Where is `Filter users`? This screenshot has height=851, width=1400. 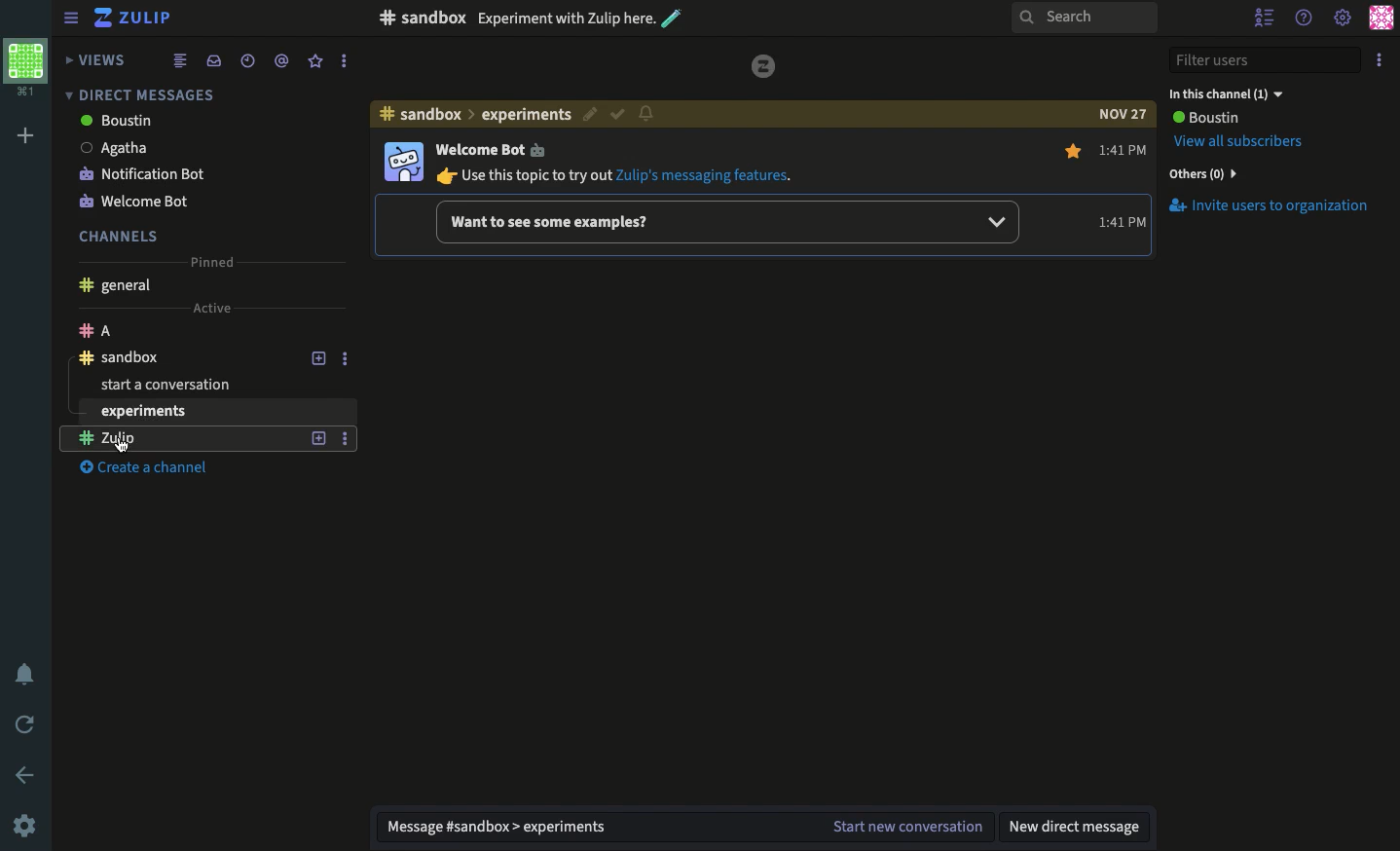 Filter users is located at coordinates (1266, 61).